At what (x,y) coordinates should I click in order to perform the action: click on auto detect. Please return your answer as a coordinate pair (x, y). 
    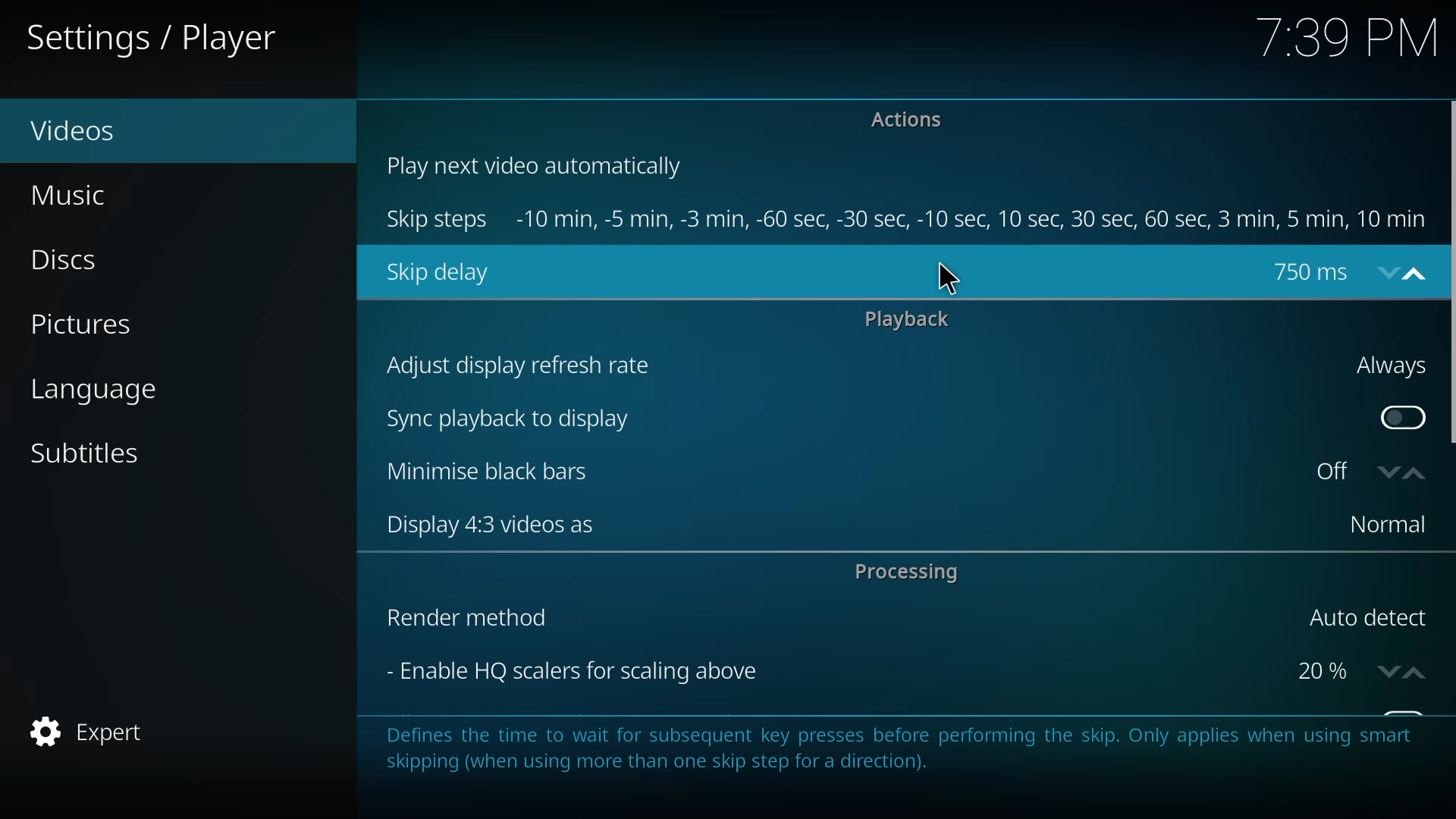
    Looking at the image, I should click on (1363, 618).